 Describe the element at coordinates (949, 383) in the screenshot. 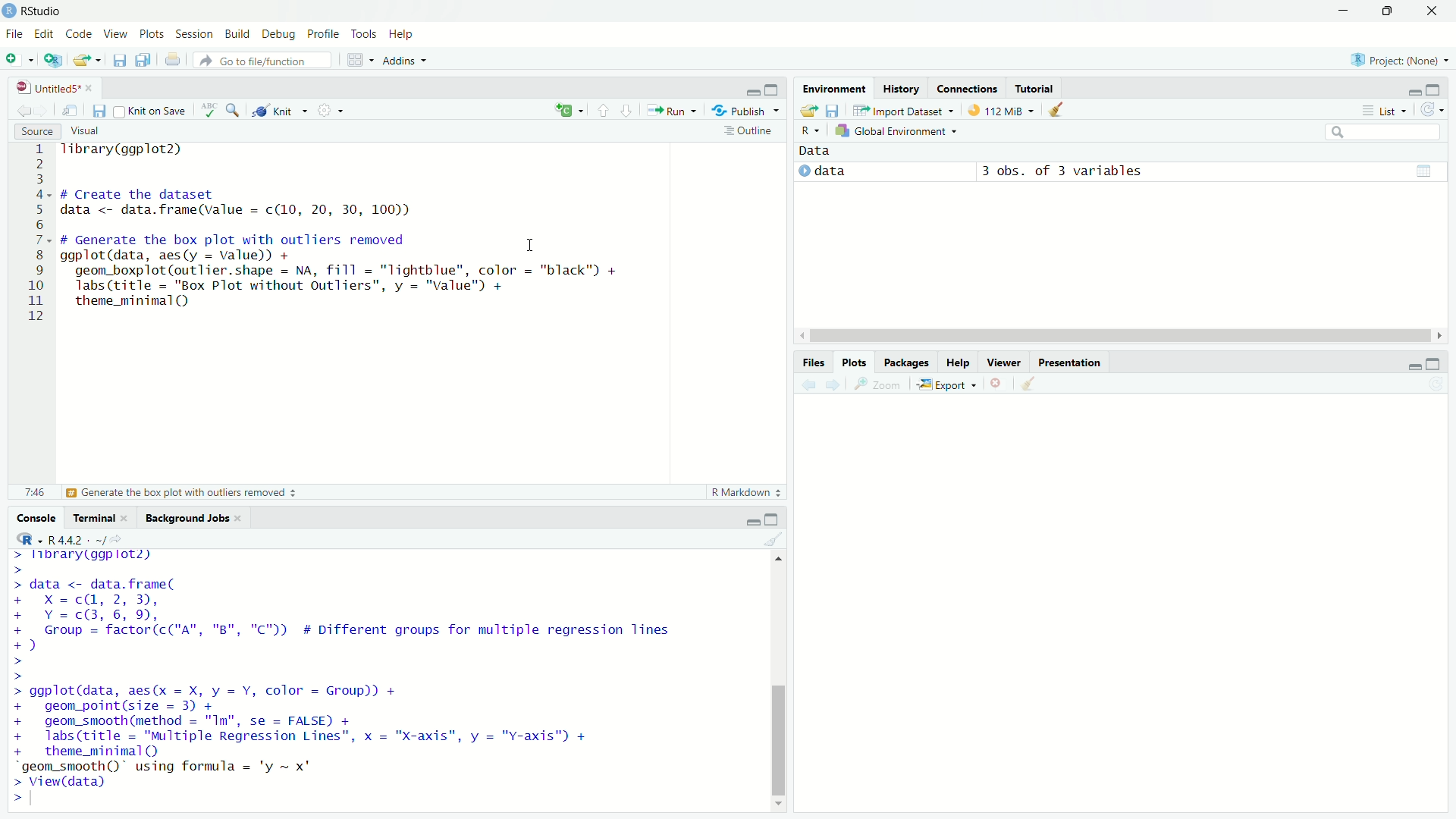

I see `i Export ~` at that location.